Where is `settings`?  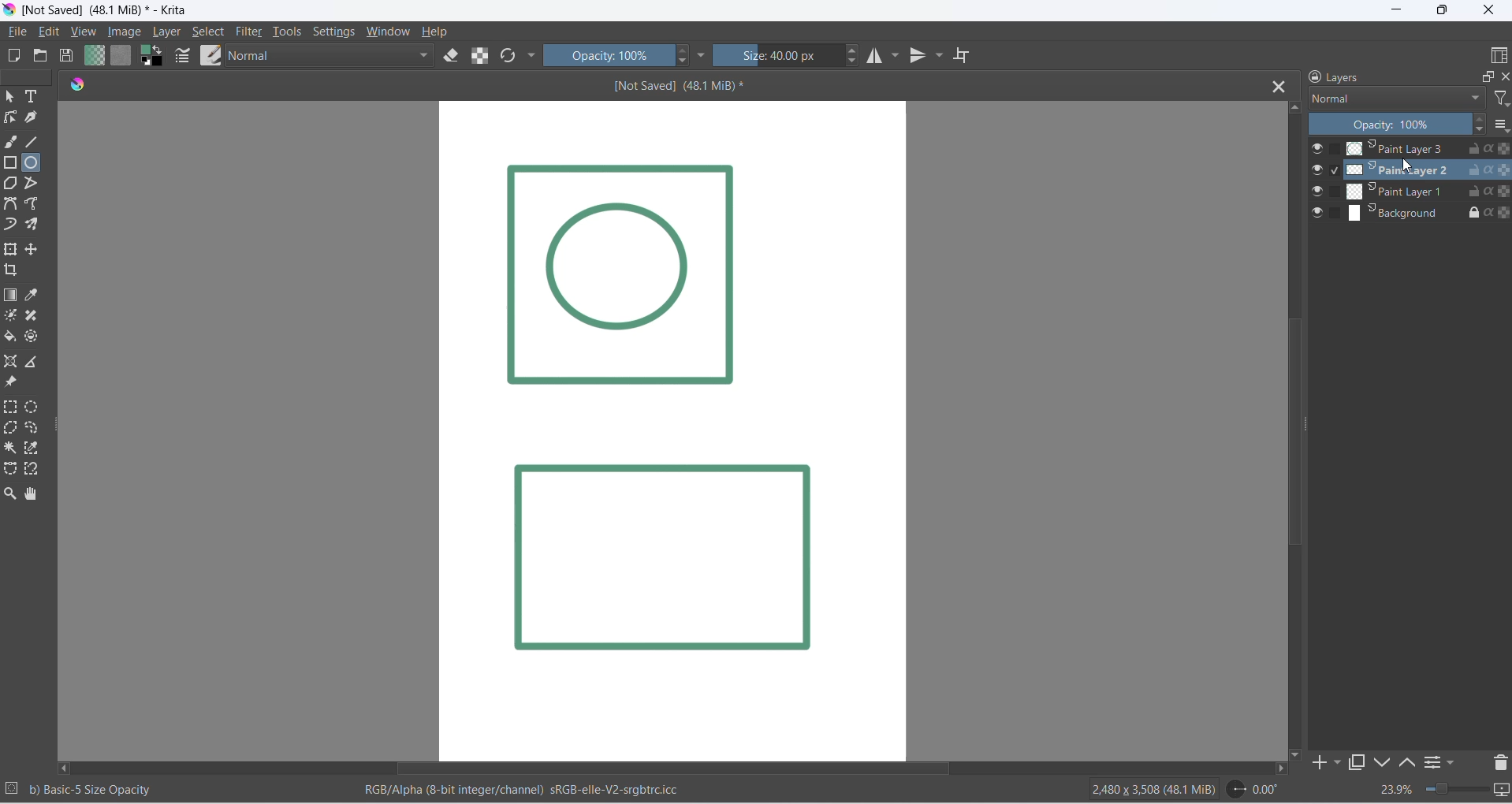
settings is located at coordinates (336, 33).